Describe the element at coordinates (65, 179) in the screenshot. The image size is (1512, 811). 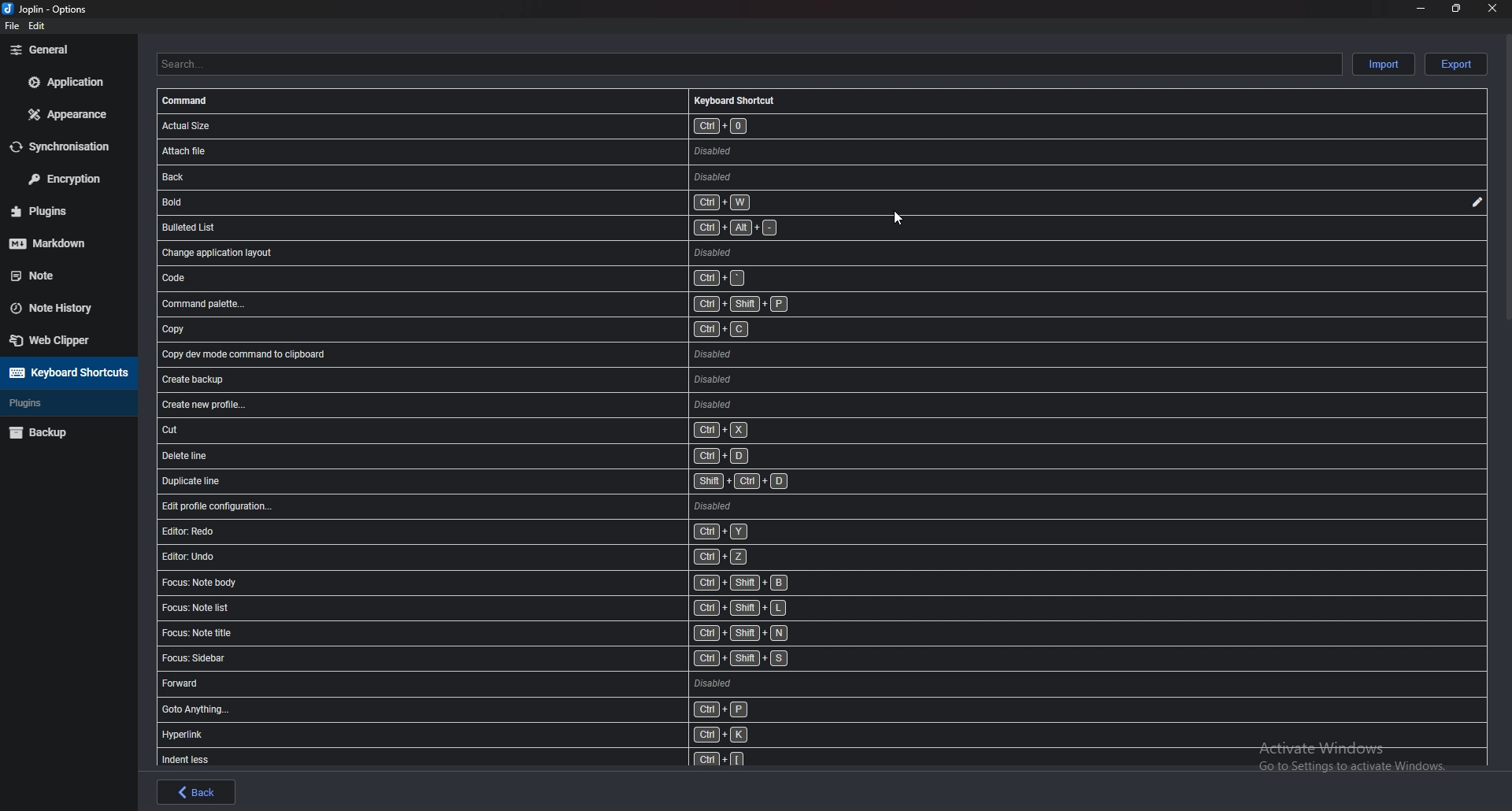
I see `Encryption` at that location.